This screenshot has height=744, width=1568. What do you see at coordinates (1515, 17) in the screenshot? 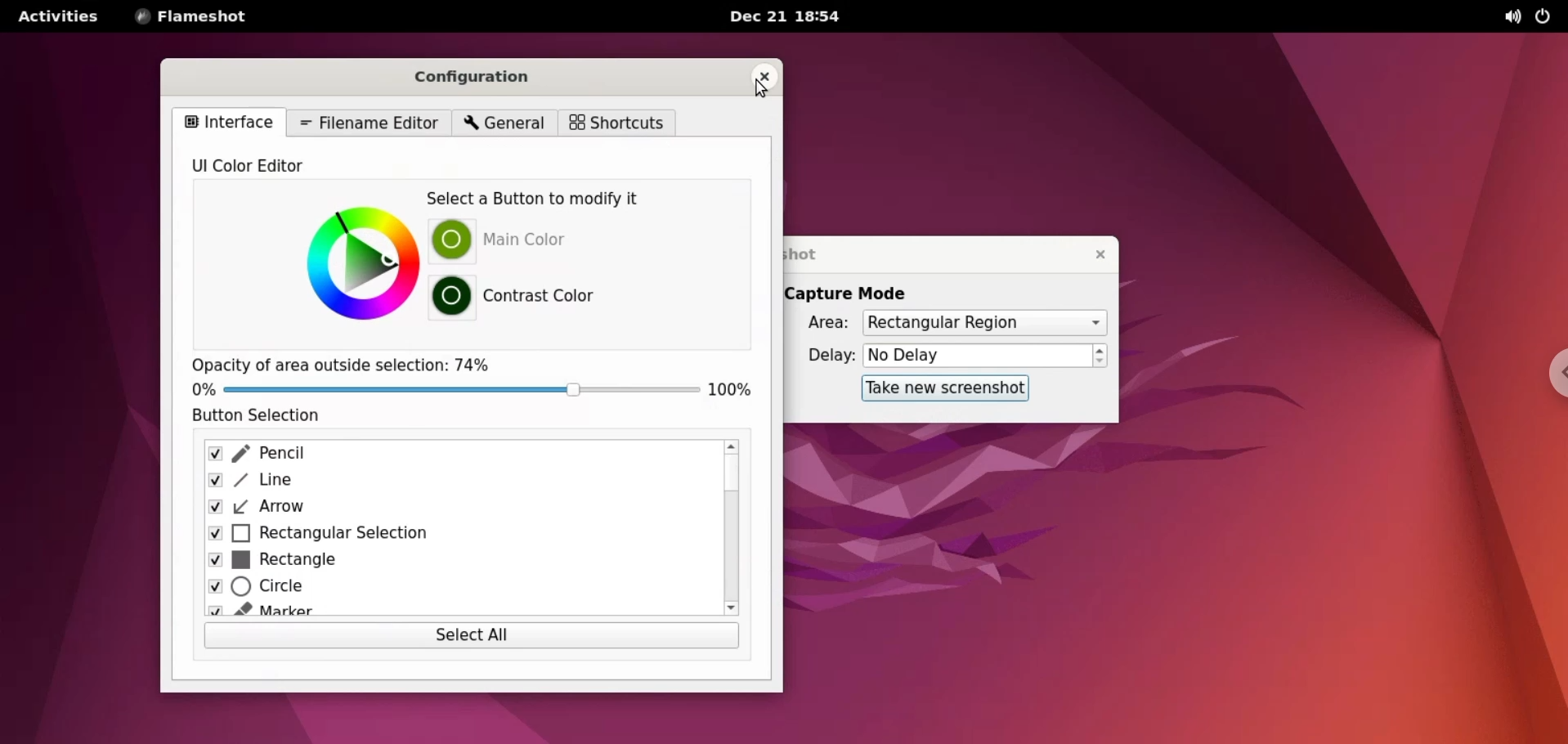
I see `sound options` at bounding box center [1515, 17].